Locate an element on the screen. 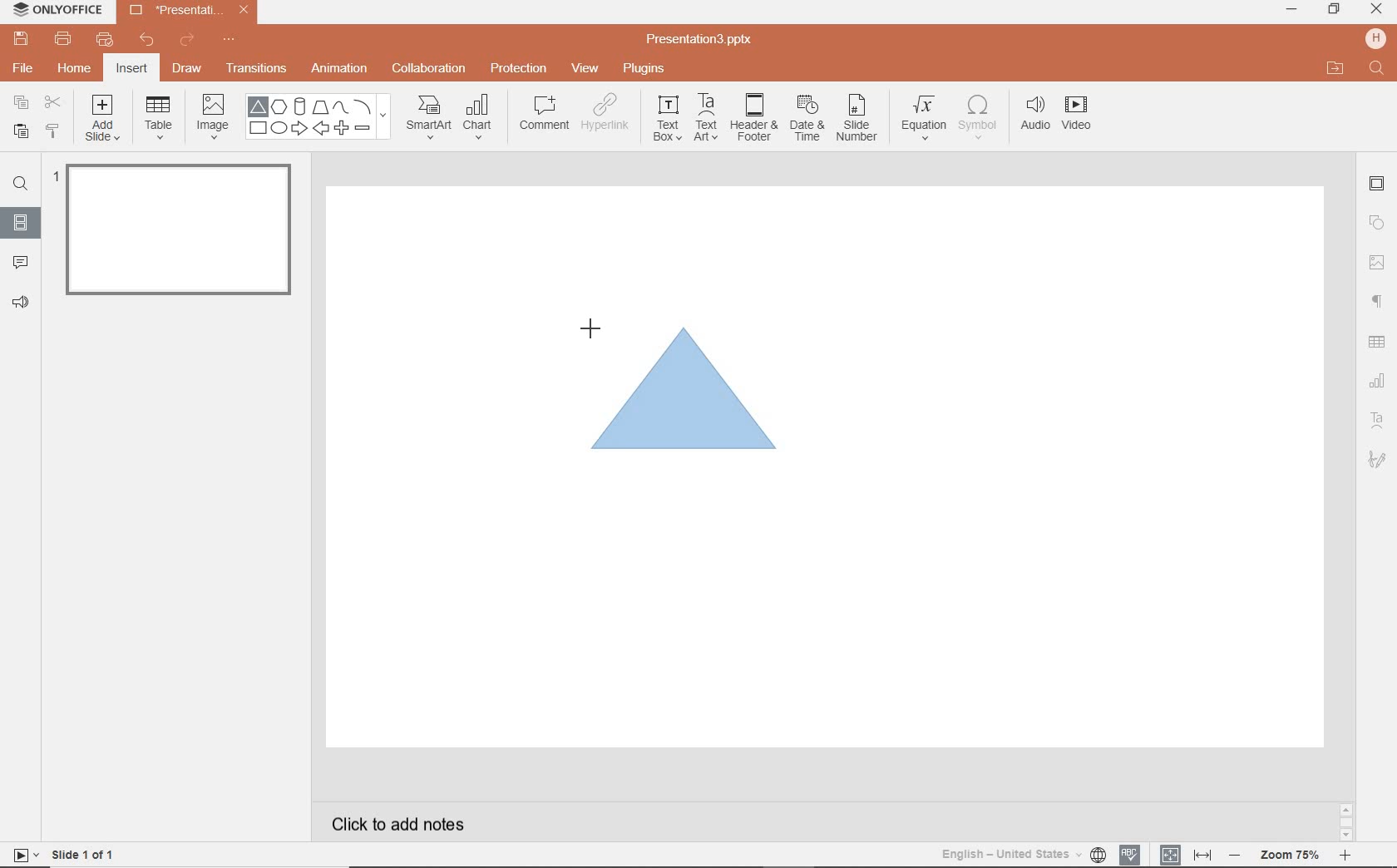 This screenshot has width=1397, height=868. OPEN FILE LOCATION is located at coordinates (1335, 68).